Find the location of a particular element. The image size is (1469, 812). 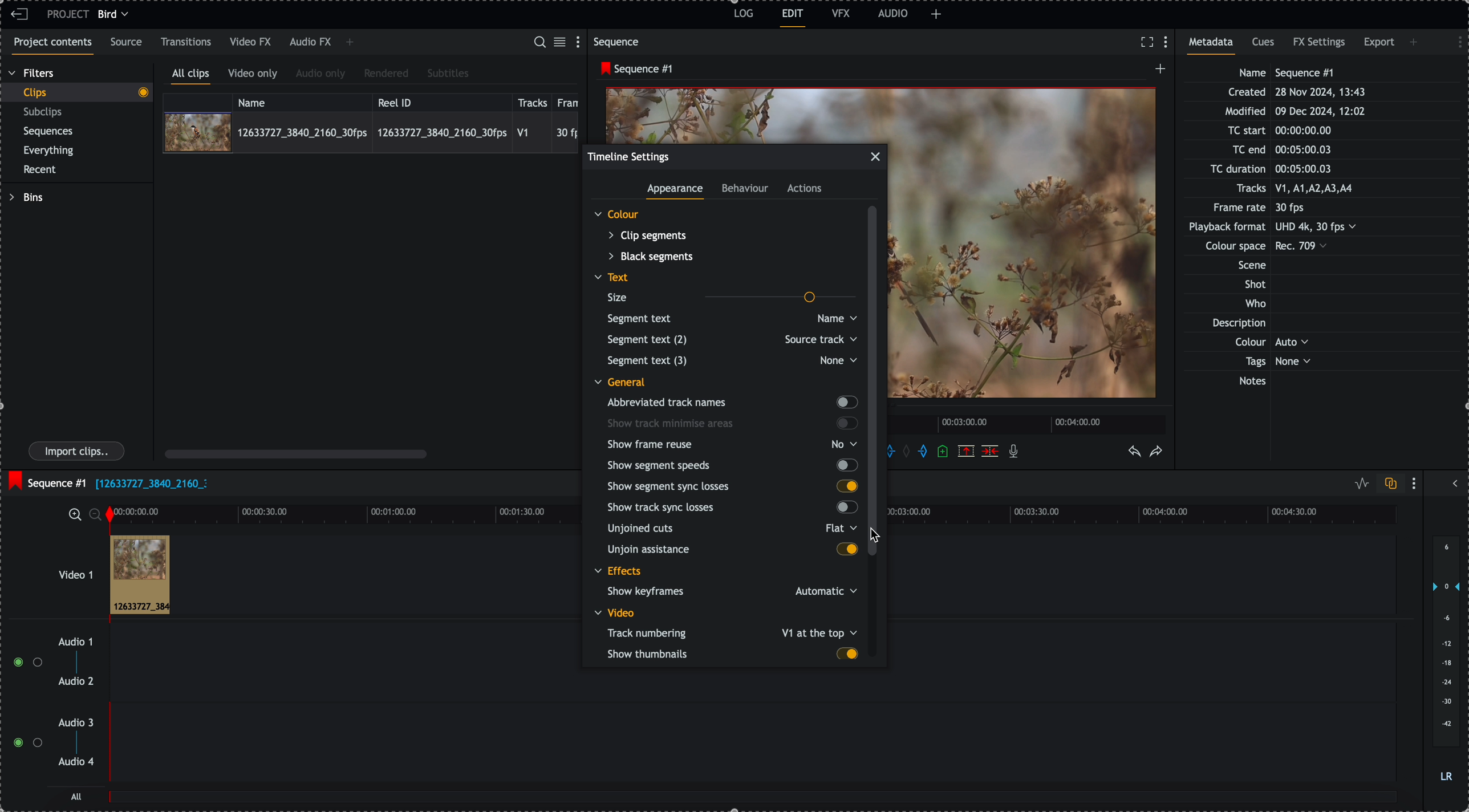

picture is located at coordinates (1027, 250).